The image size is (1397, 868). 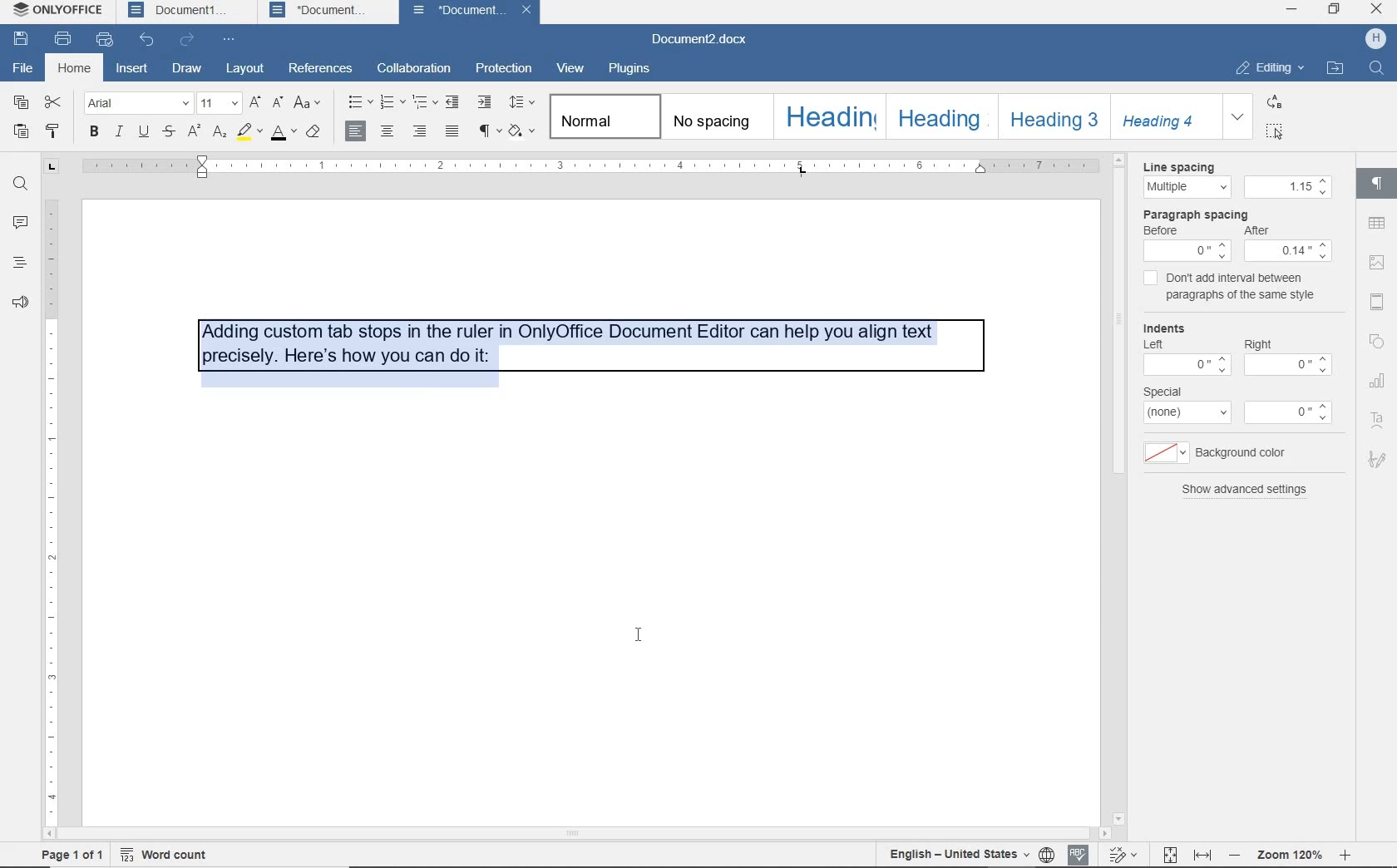 What do you see at coordinates (138, 103) in the screenshot?
I see `font` at bounding box center [138, 103].